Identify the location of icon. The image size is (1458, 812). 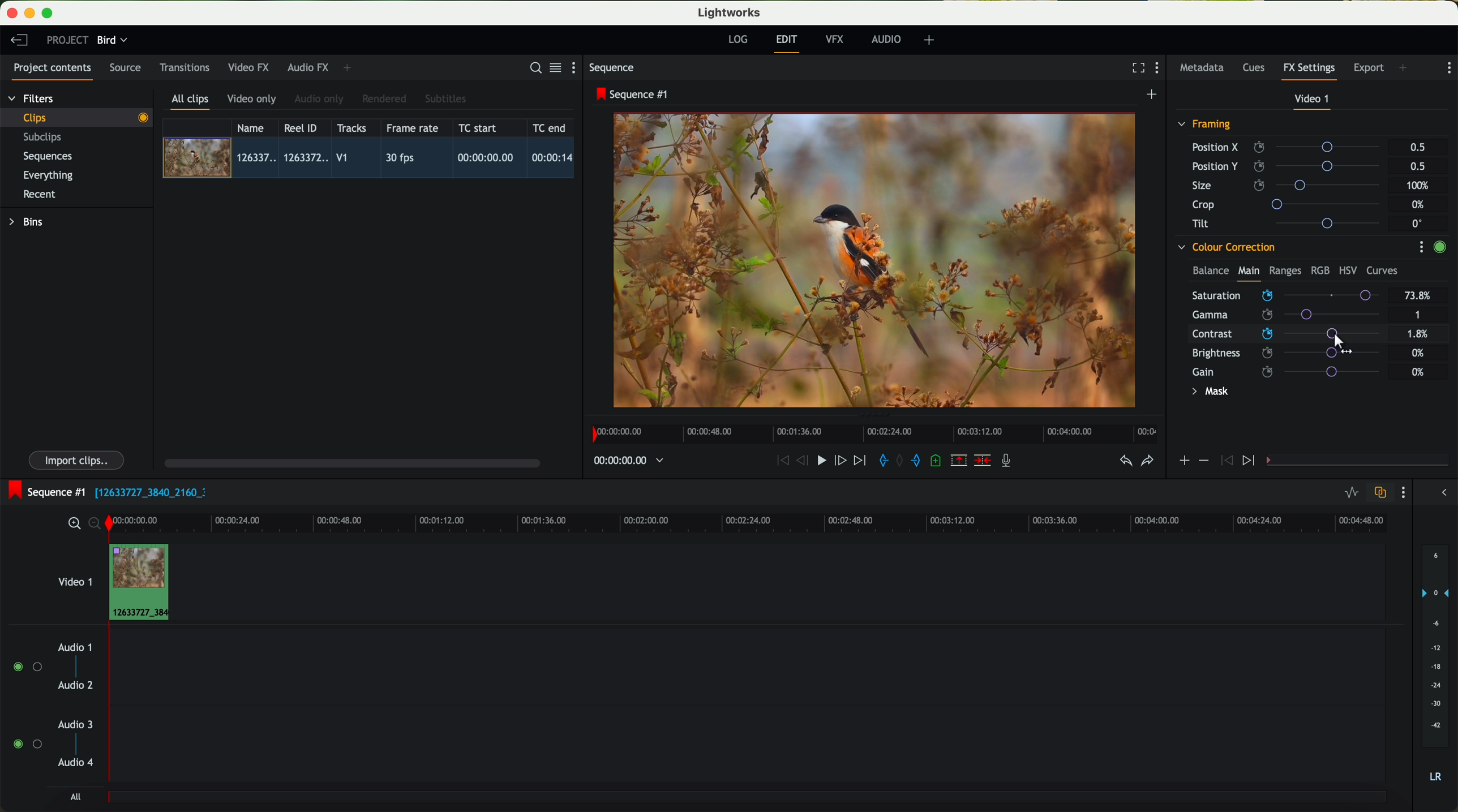
(1183, 462).